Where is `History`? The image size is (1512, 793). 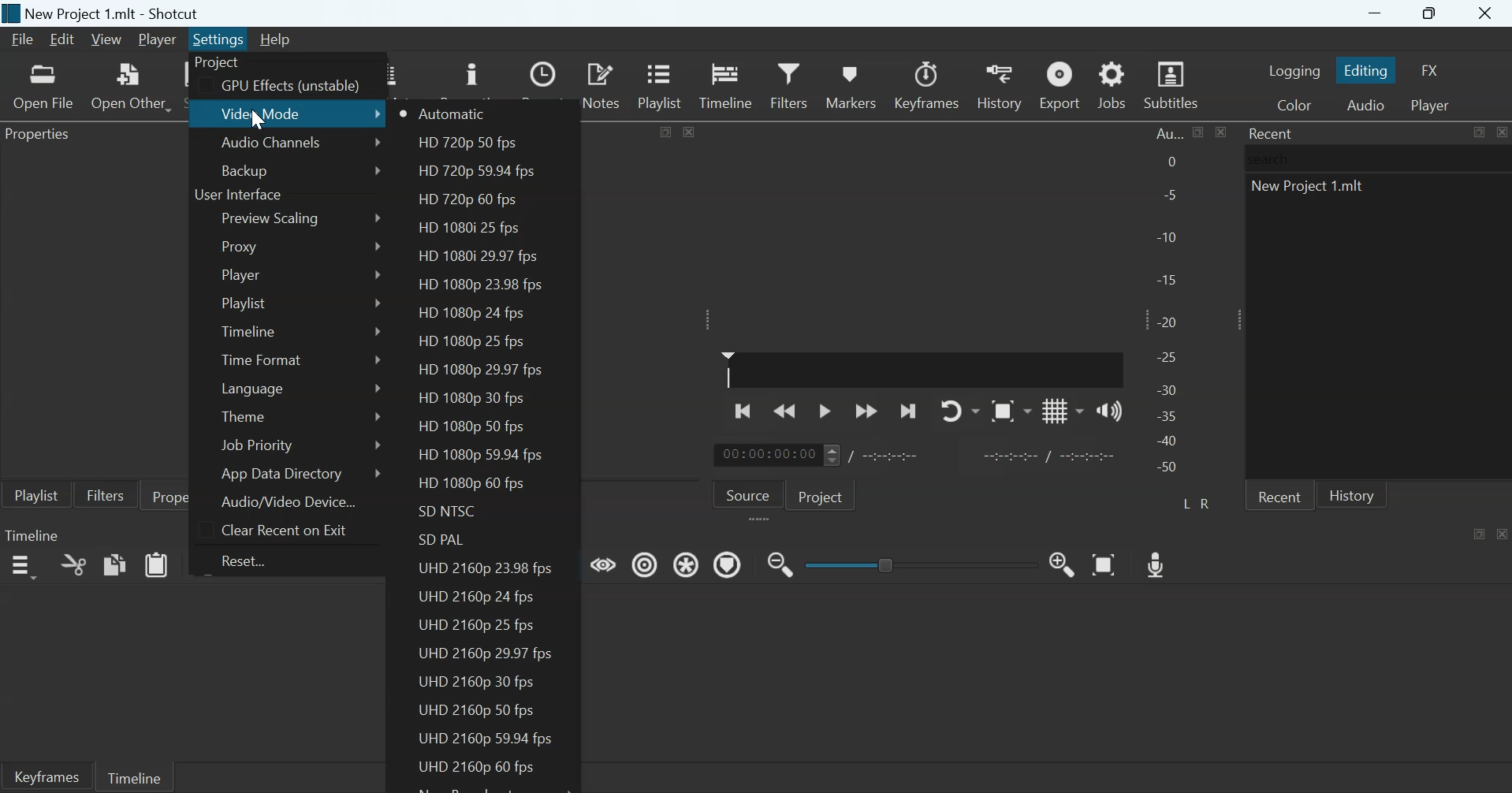 History is located at coordinates (998, 85).